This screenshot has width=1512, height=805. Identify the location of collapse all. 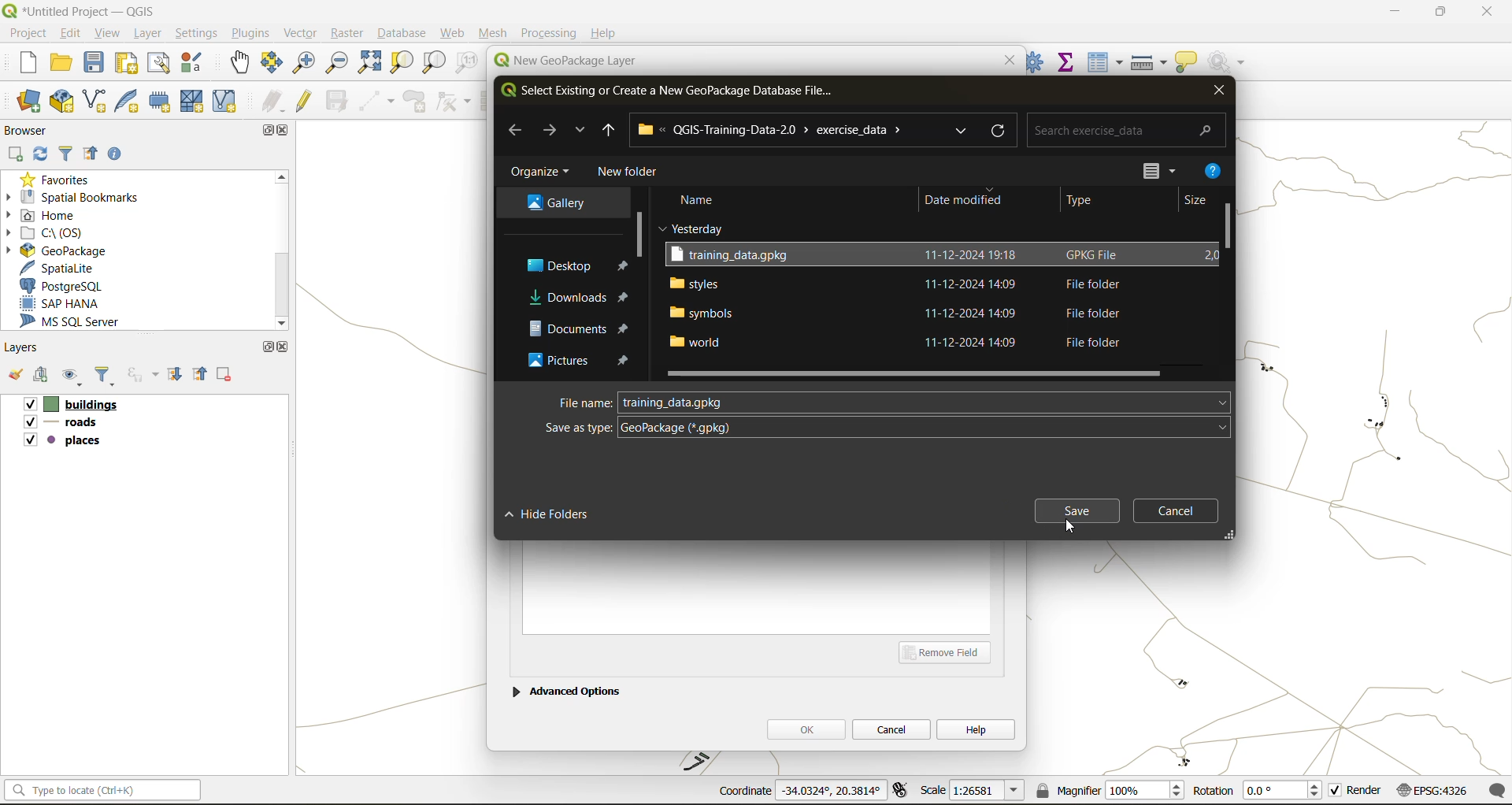
(94, 154).